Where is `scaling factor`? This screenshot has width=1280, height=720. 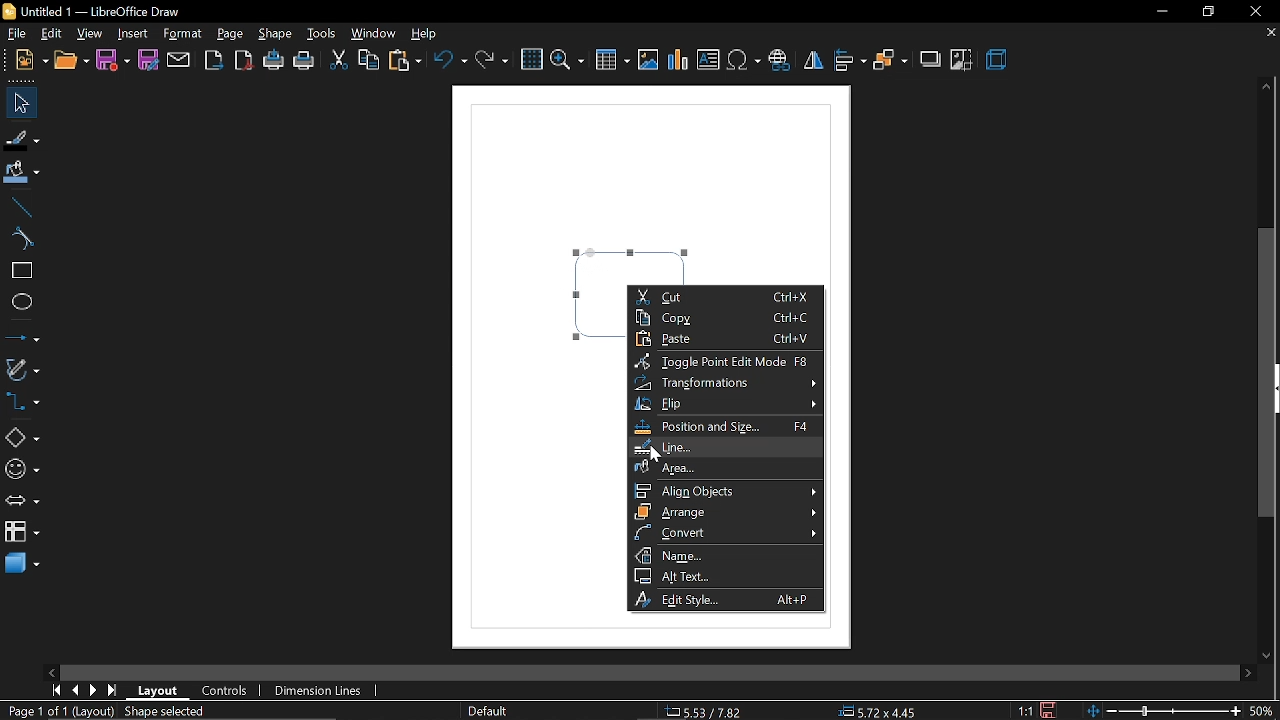 scaling factor is located at coordinates (1026, 710).